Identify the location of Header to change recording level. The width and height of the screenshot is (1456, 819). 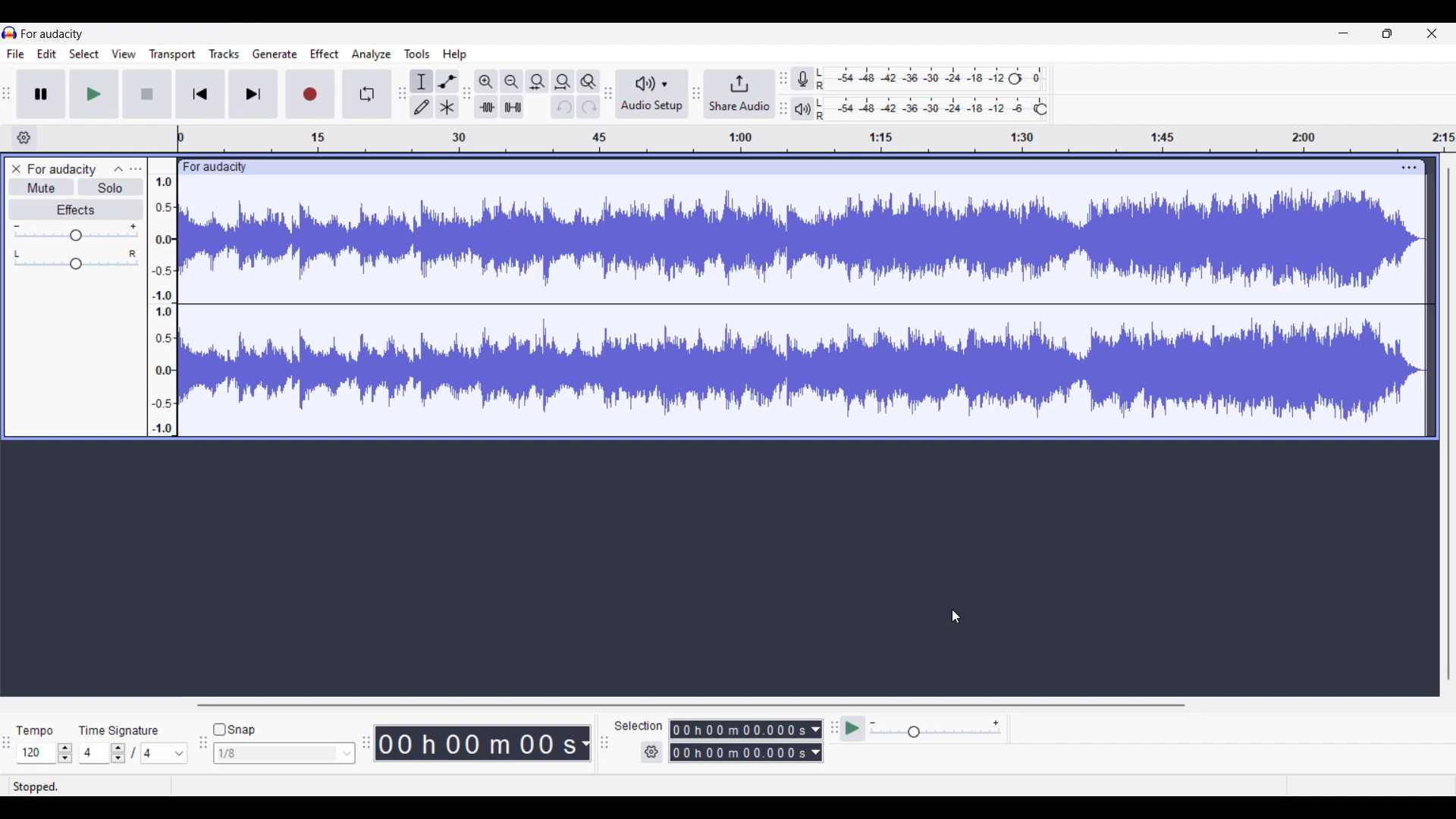
(1015, 79).